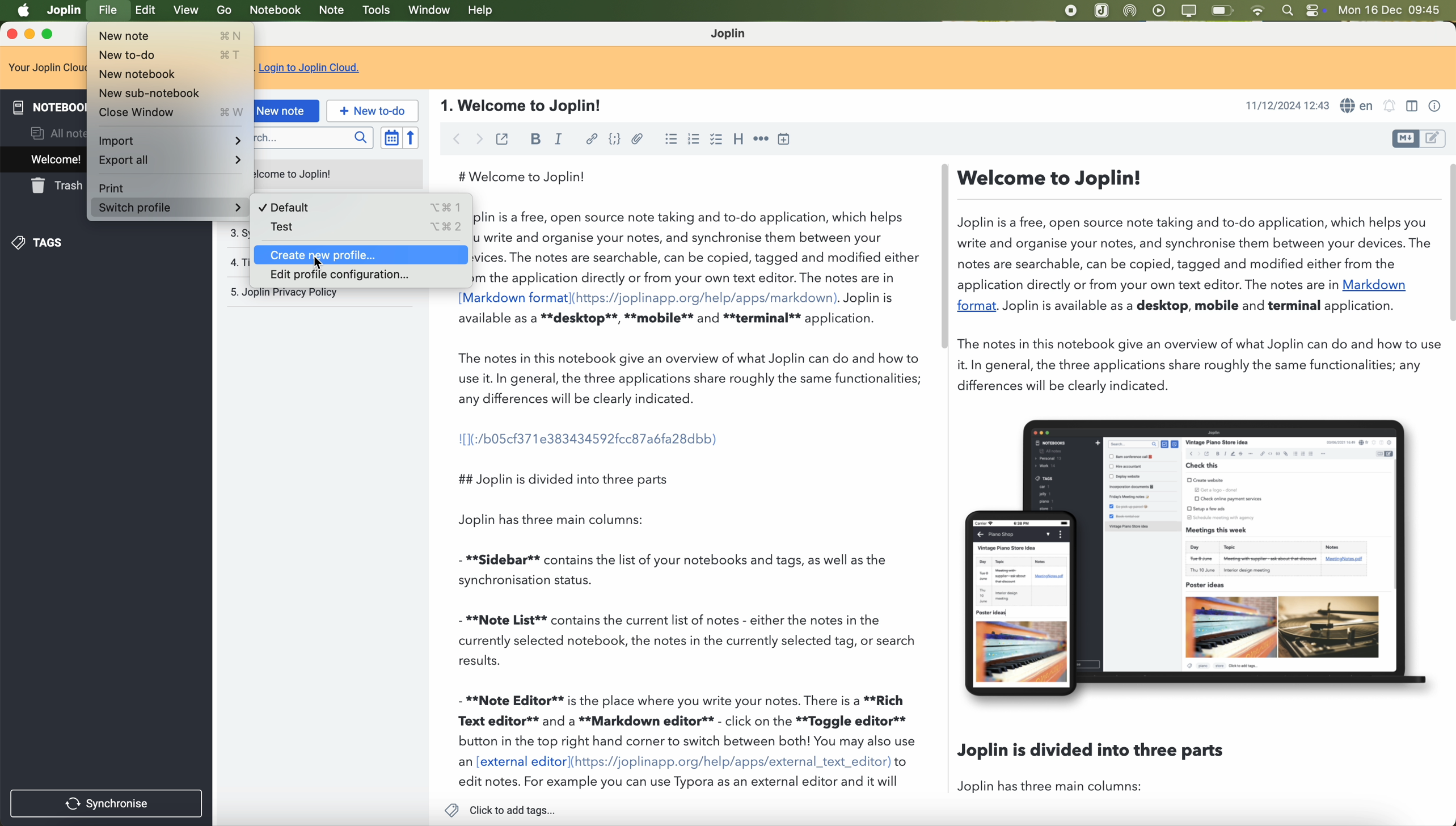  What do you see at coordinates (692, 378) in the screenshot?
I see `The notes in this notebook give an overview of what Joplin can do and how to
use it. In general, the three applications share roughly the same functionalities;
any differences will be clearly indicated.` at bounding box center [692, 378].